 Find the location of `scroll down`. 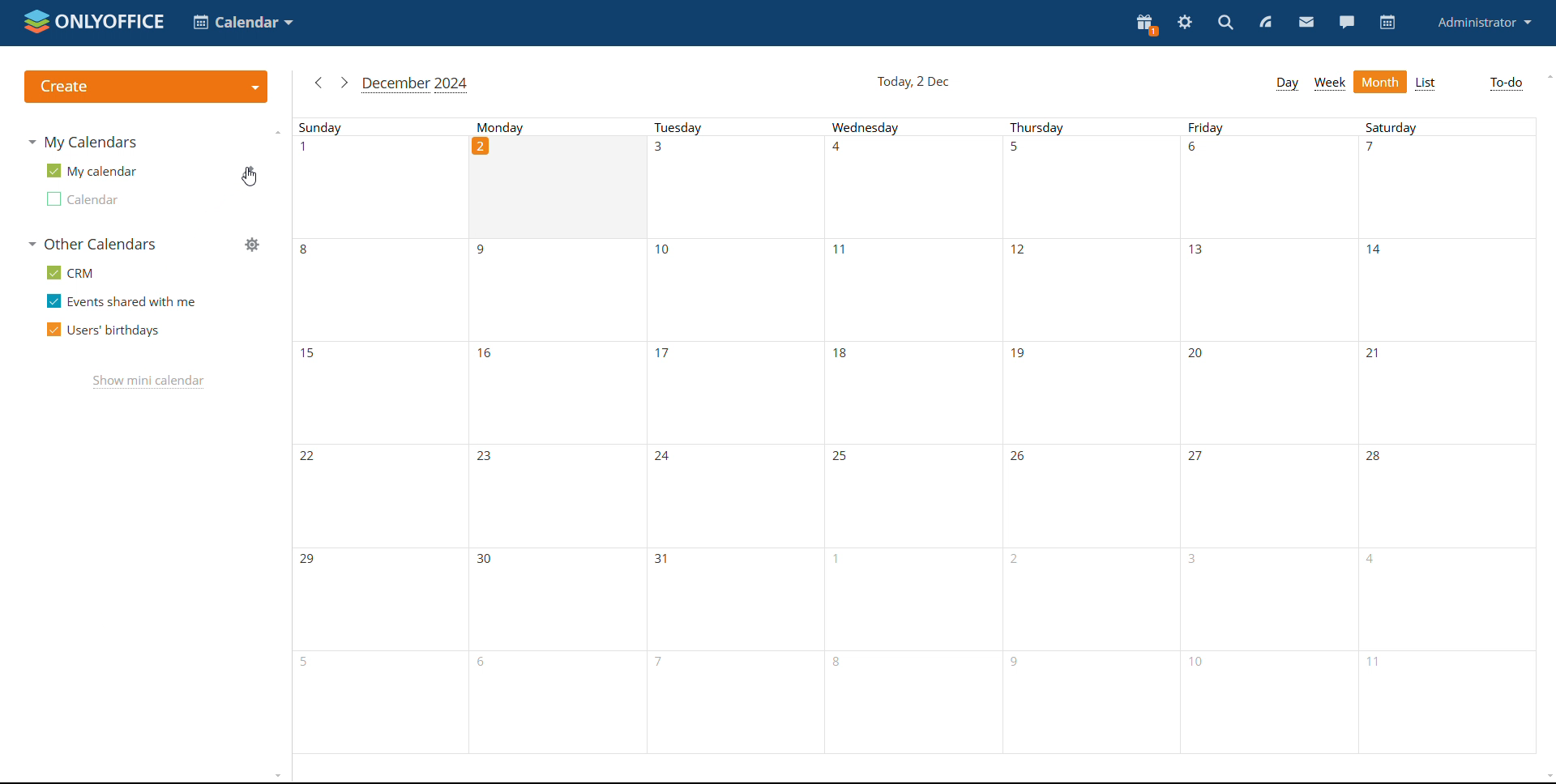

scroll down is located at coordinates (1546, 776).